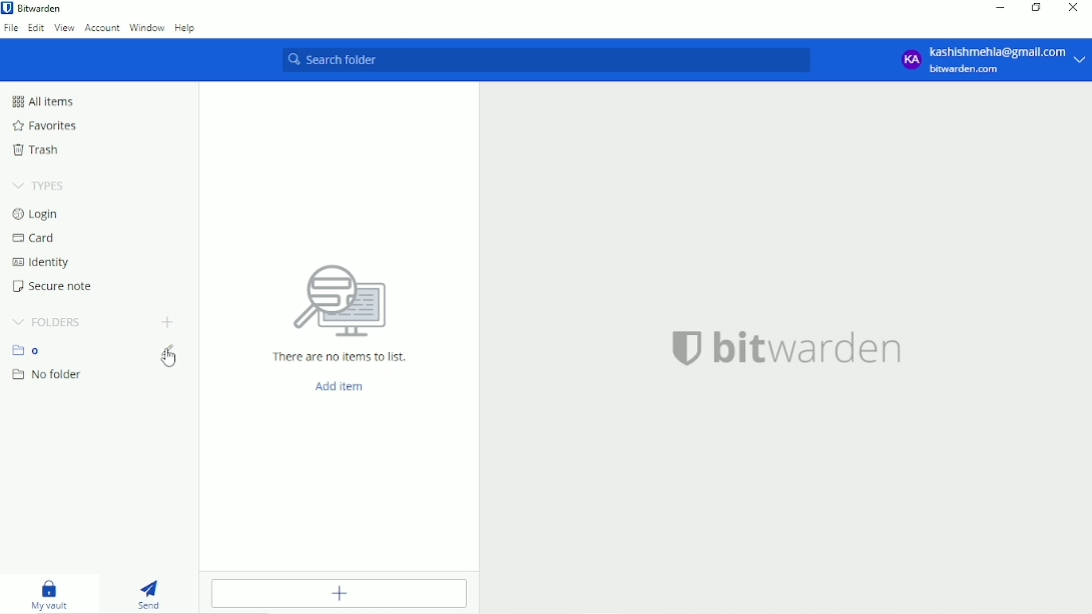  What do you see at coordinates (51, 596) in the screenshot?
I see `My vault` at bounding box center [51, 596].